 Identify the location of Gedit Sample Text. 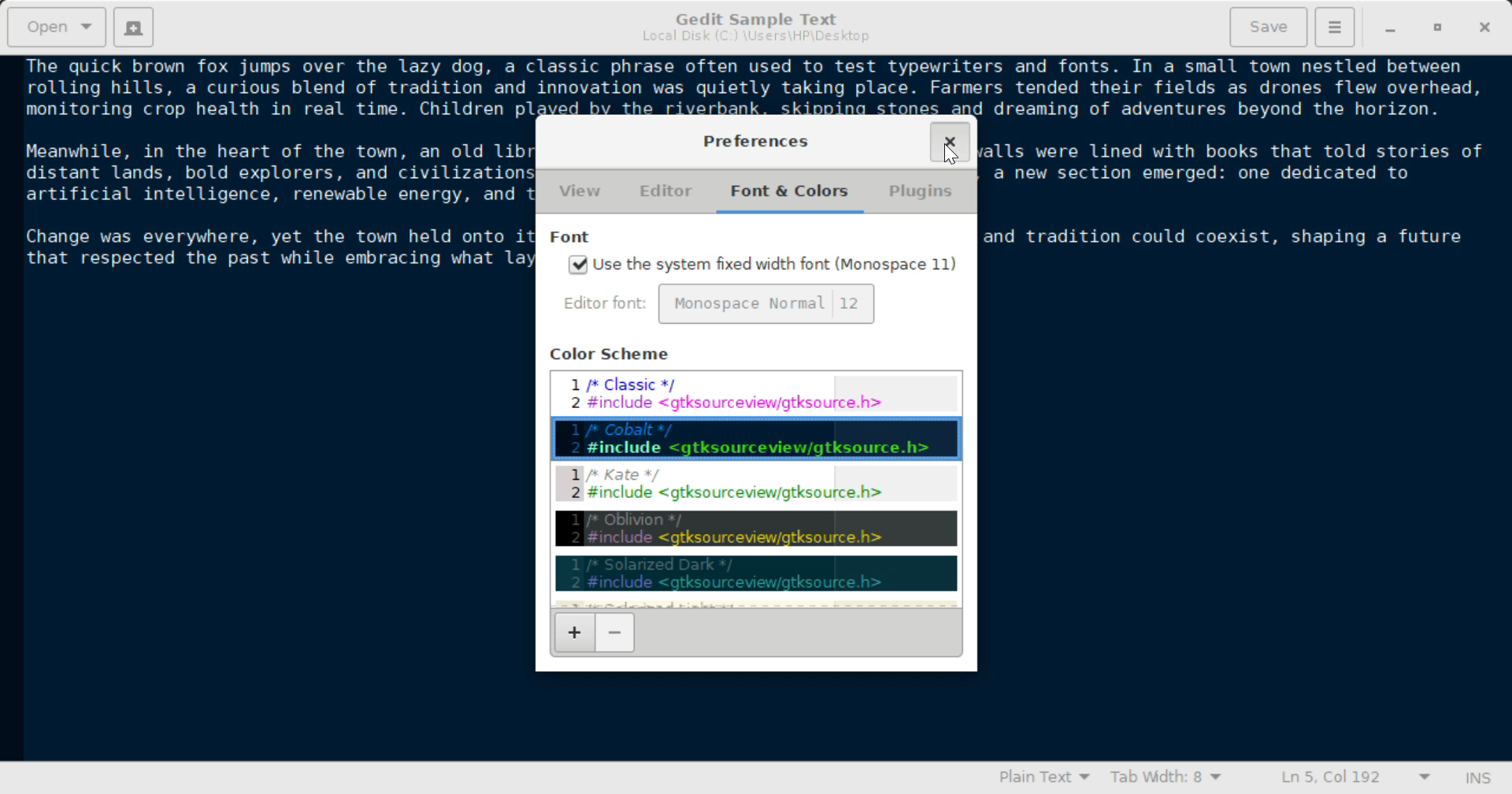
(752, 17).